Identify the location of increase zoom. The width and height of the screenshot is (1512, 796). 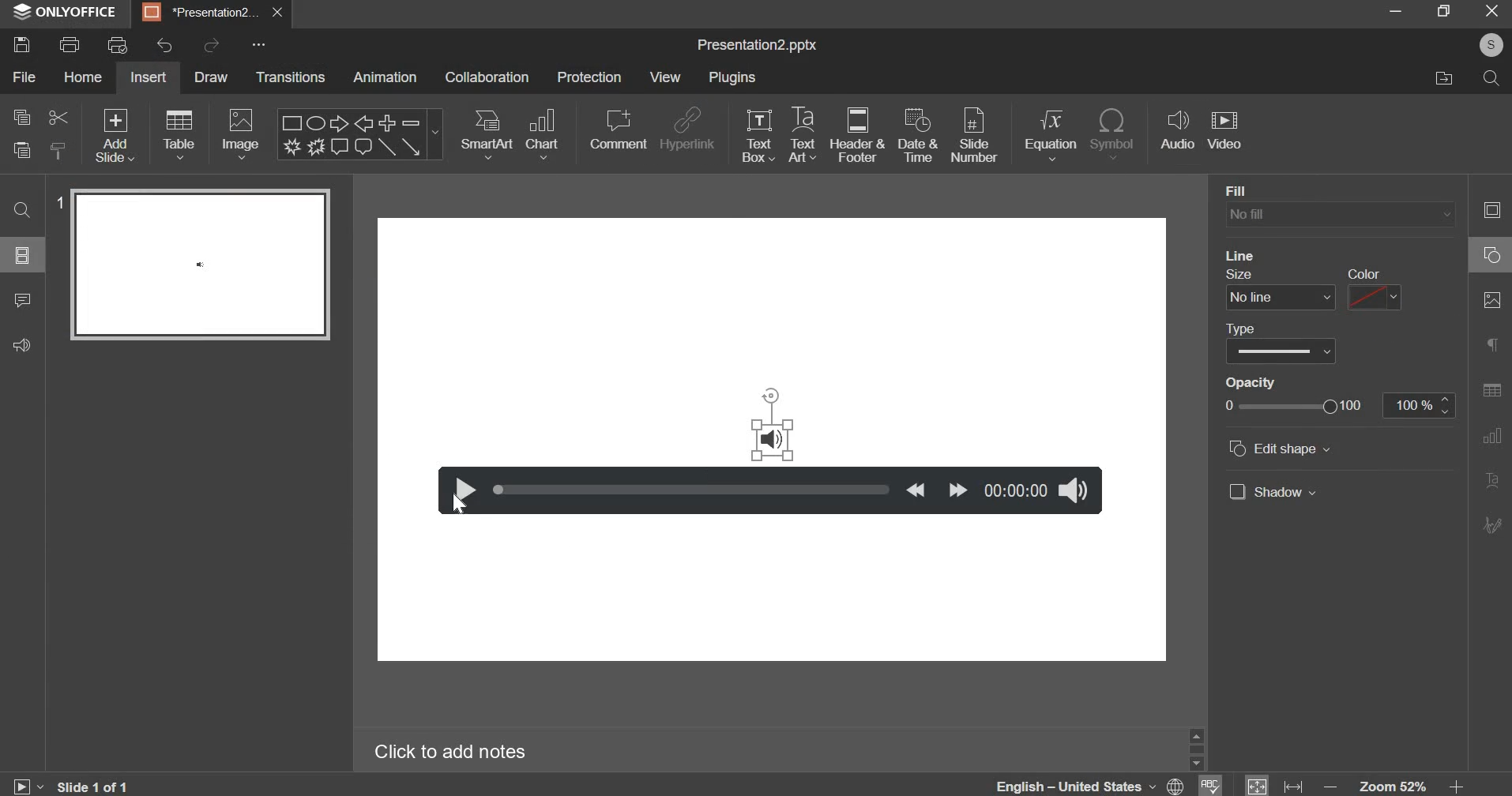
(1457, 784).